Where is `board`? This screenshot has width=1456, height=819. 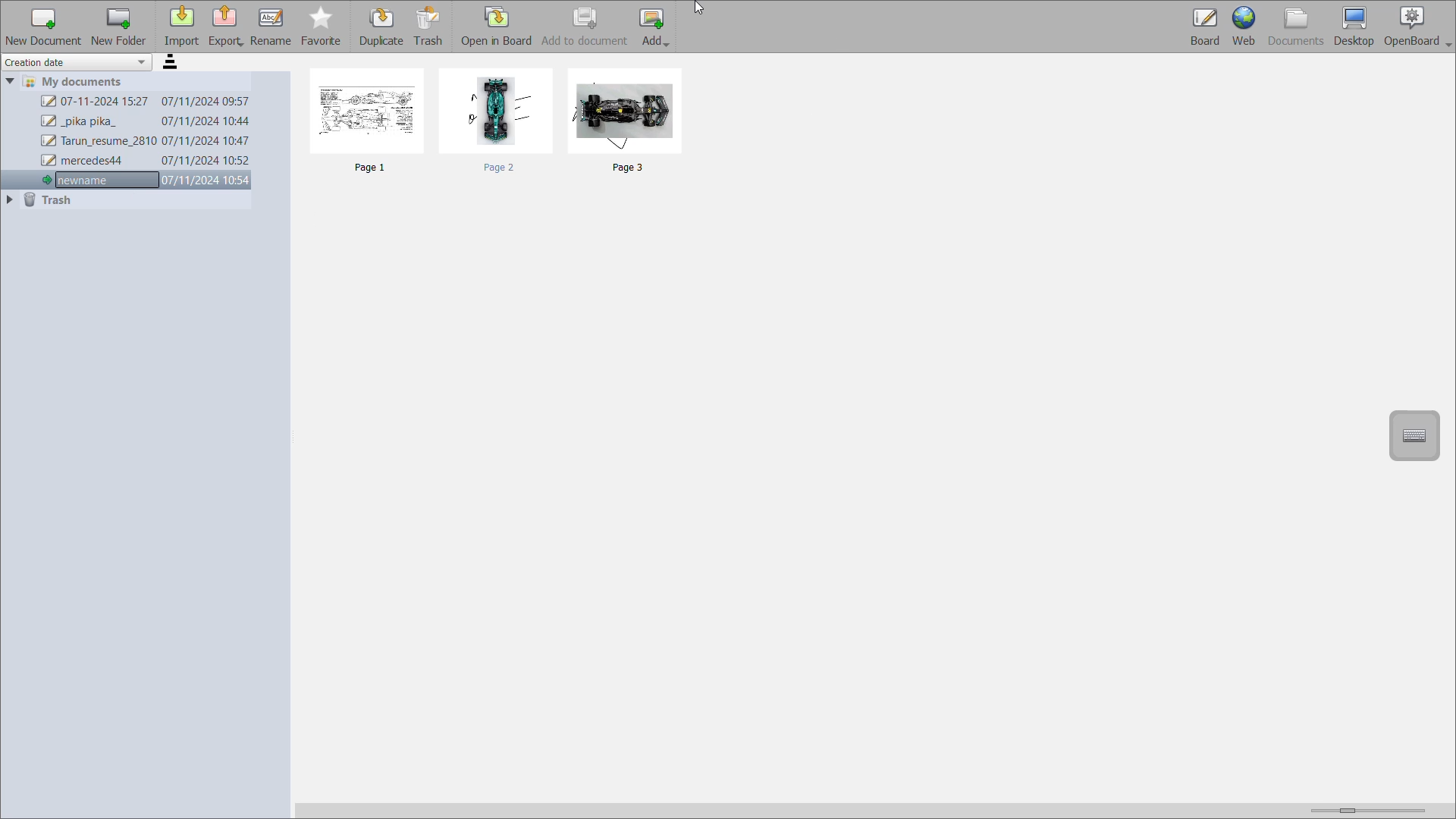
board is located at coordinates (1202, 27).